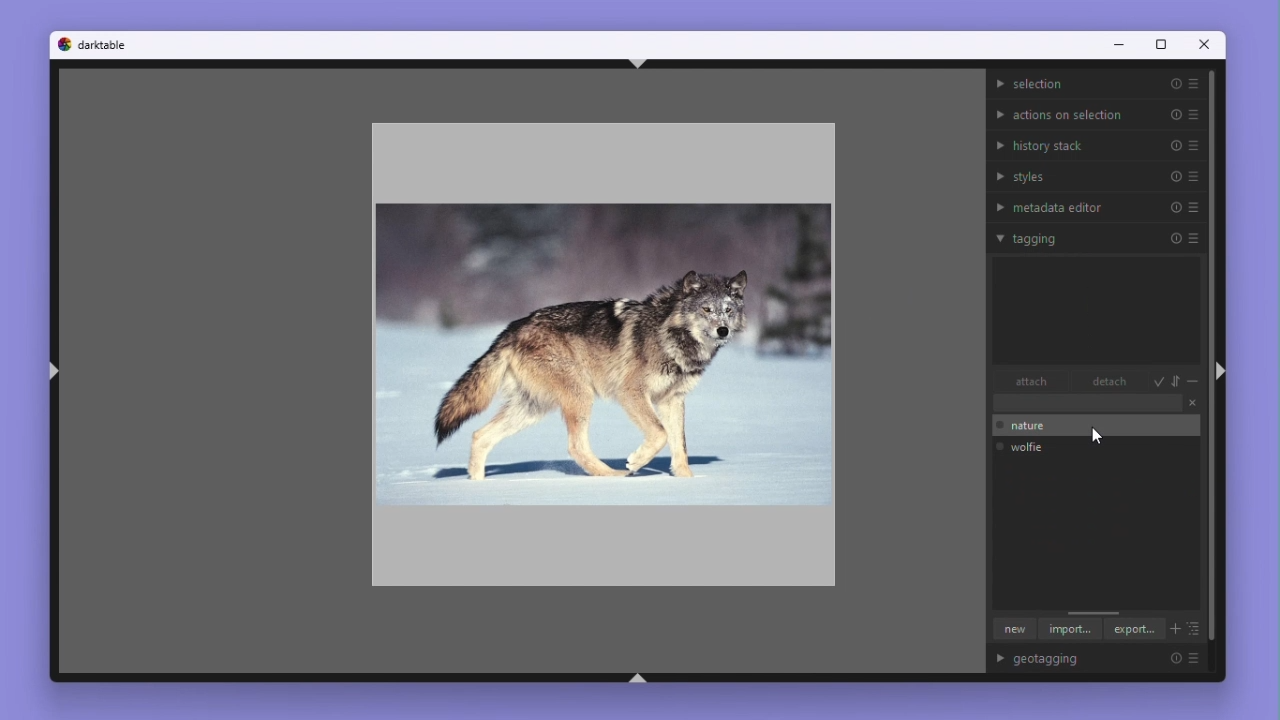 Image resolution: width=1280 pixels, height=720 pixels. What do you see at coordinates (998, 426) in the screenshot?
I see `checkbox` at bounding box center [998, 426].